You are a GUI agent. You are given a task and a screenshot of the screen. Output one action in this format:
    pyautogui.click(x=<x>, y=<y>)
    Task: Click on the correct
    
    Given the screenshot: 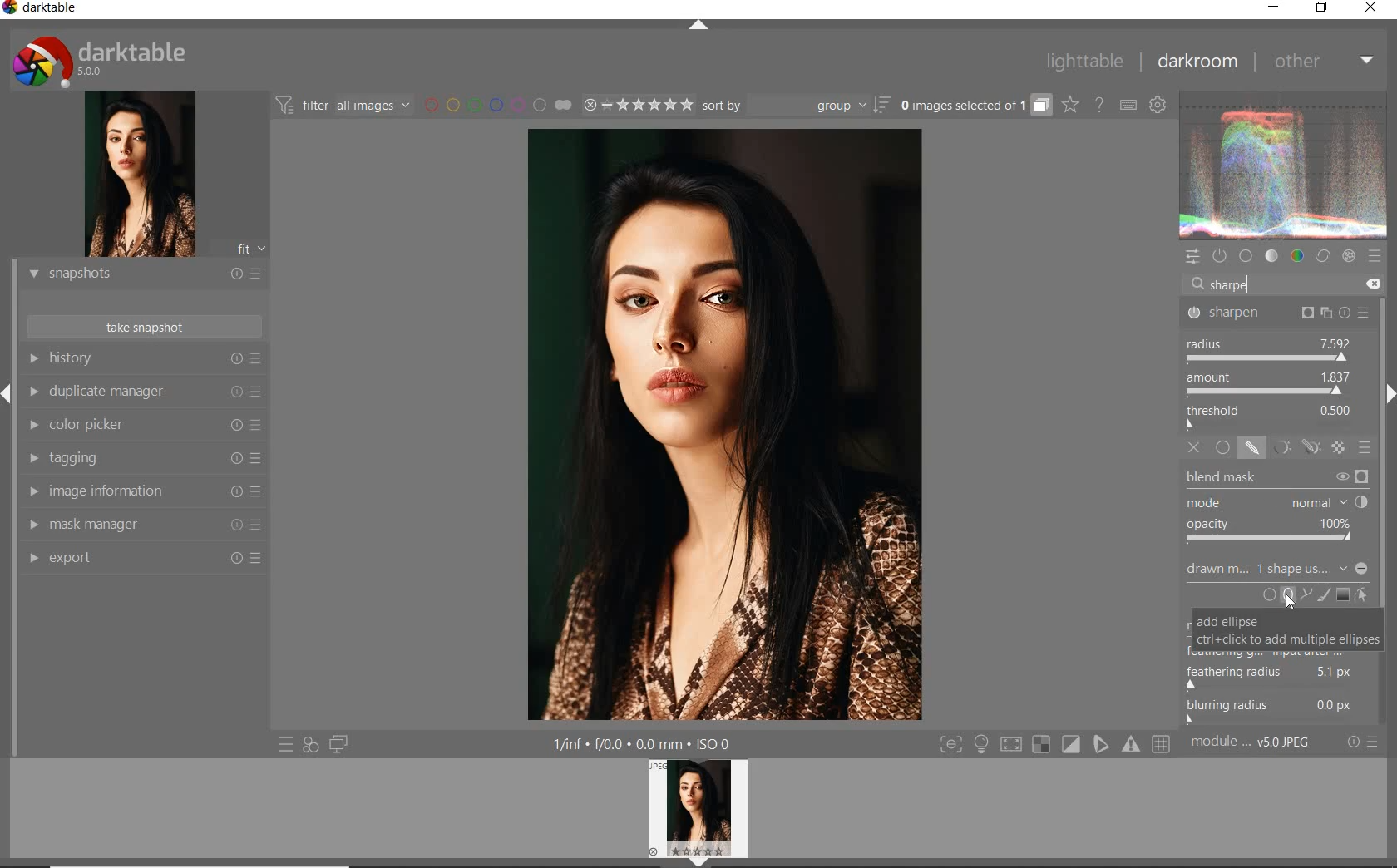 What is the action you would take?
    pyautogui.click(x=1323, y=257)
    